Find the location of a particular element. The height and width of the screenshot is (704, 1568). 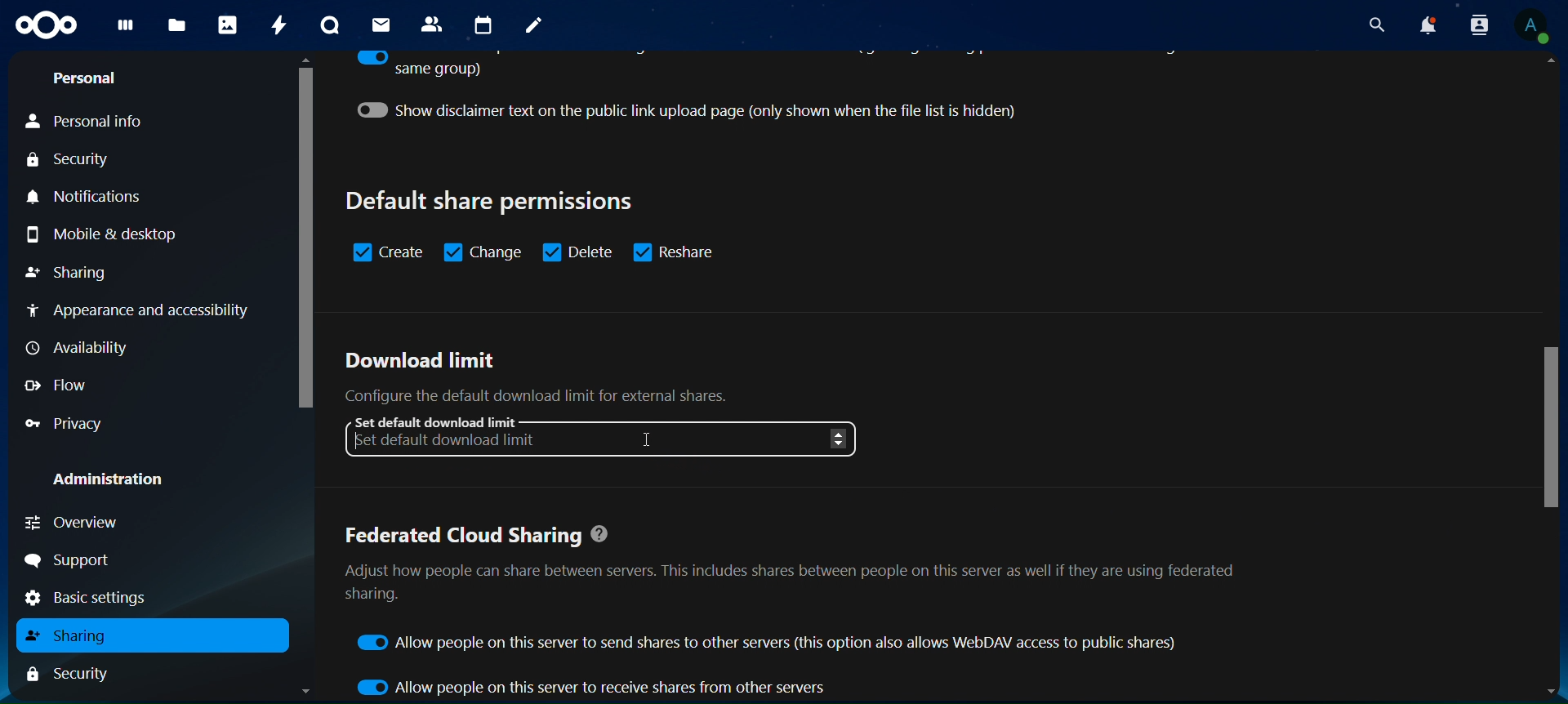

sharing is located at coordinates (69, 635).